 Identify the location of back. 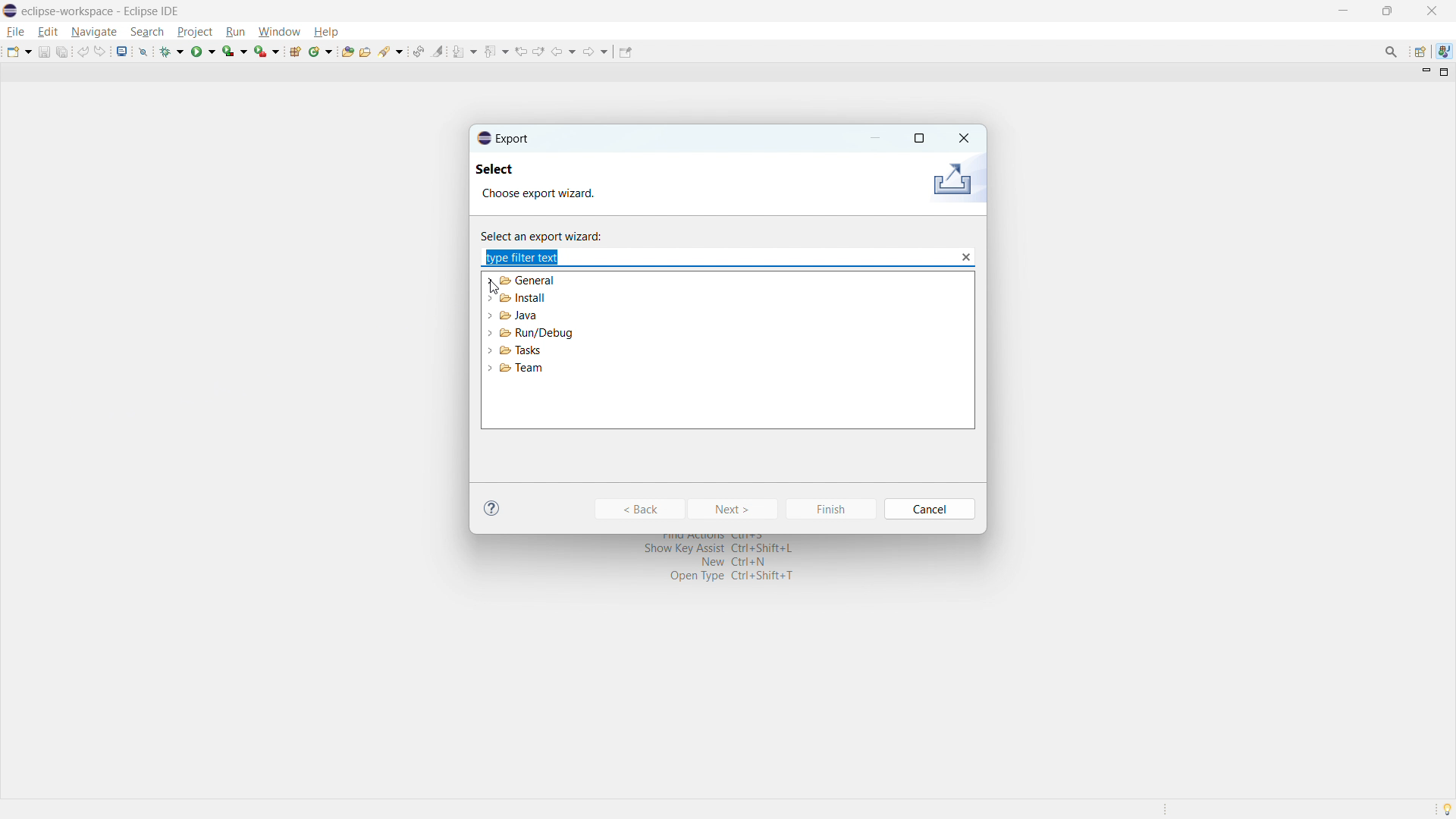
(564, 52).